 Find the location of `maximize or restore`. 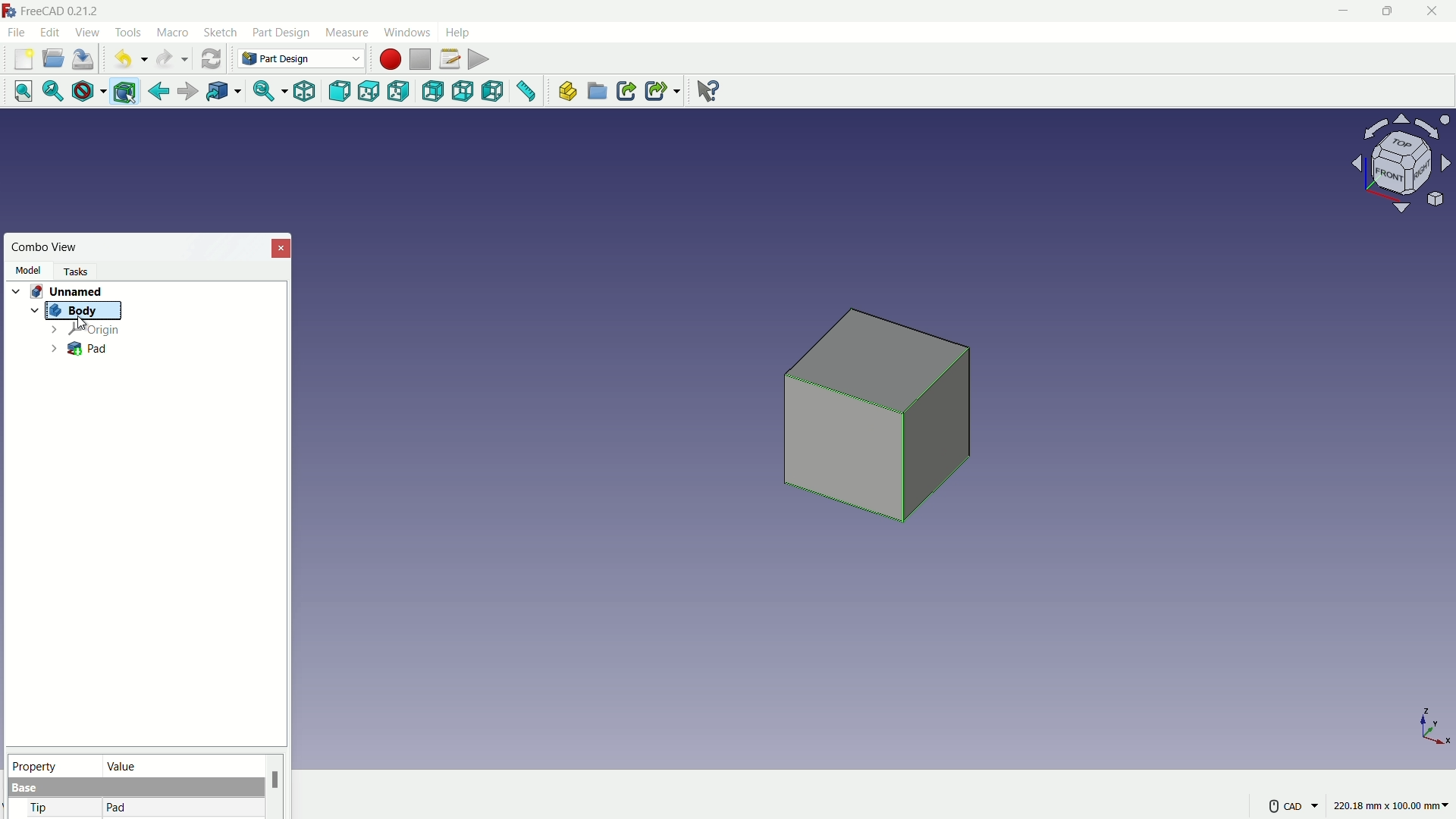

maximize or restore is located at coordinates (1385, 11).